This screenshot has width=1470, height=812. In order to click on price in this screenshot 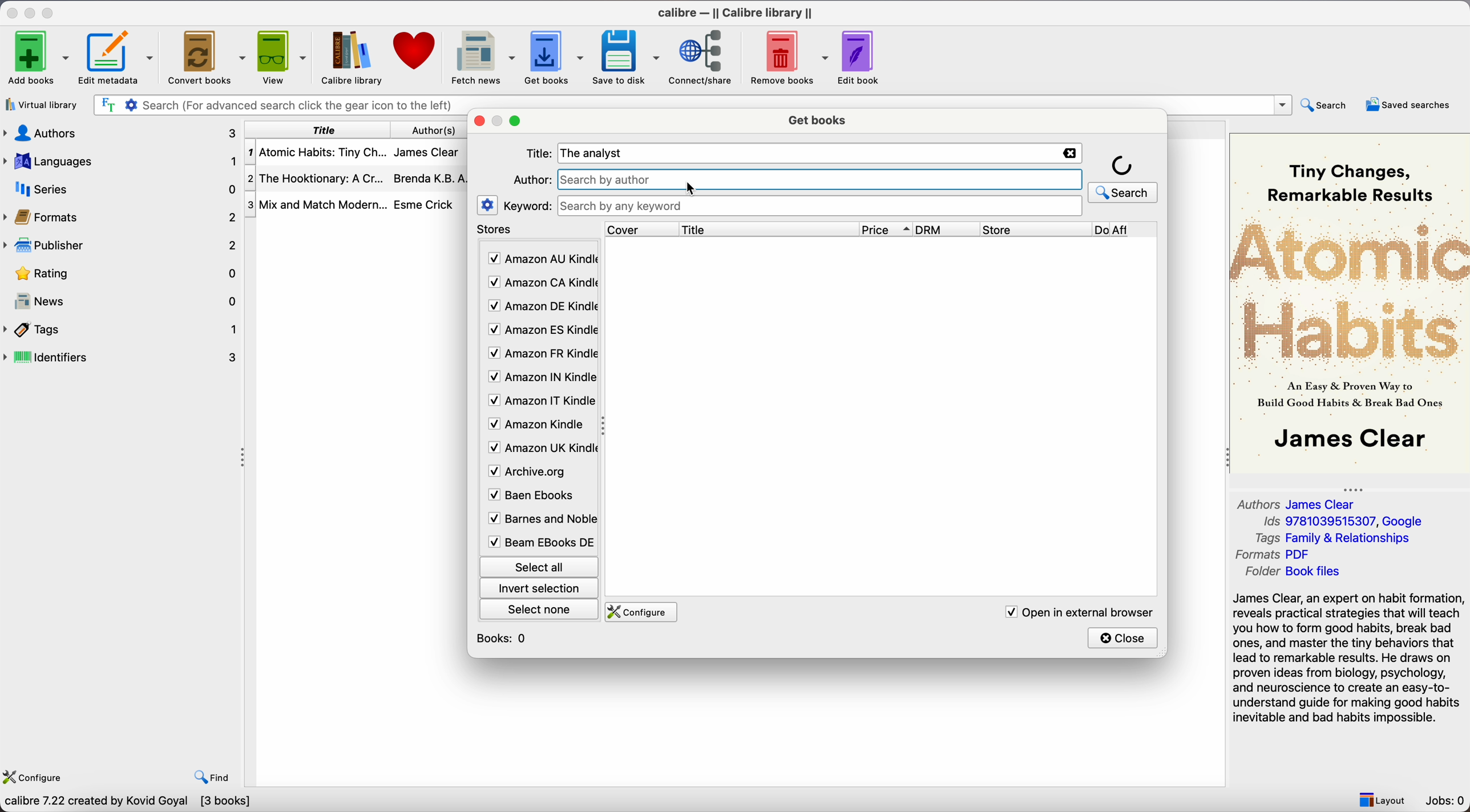, I will do `click(887, 230)`.